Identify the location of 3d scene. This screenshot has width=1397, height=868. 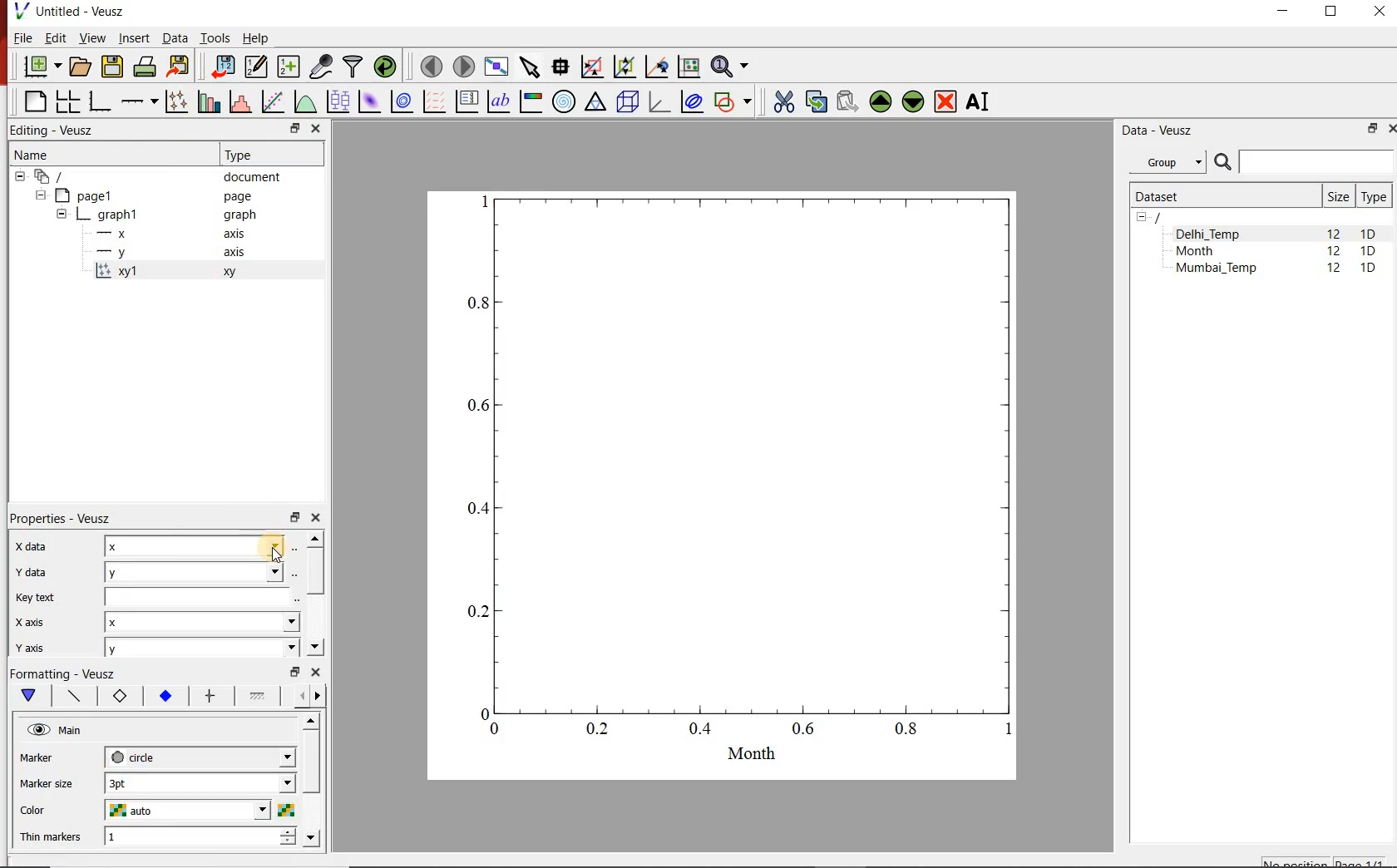
(626, 102).